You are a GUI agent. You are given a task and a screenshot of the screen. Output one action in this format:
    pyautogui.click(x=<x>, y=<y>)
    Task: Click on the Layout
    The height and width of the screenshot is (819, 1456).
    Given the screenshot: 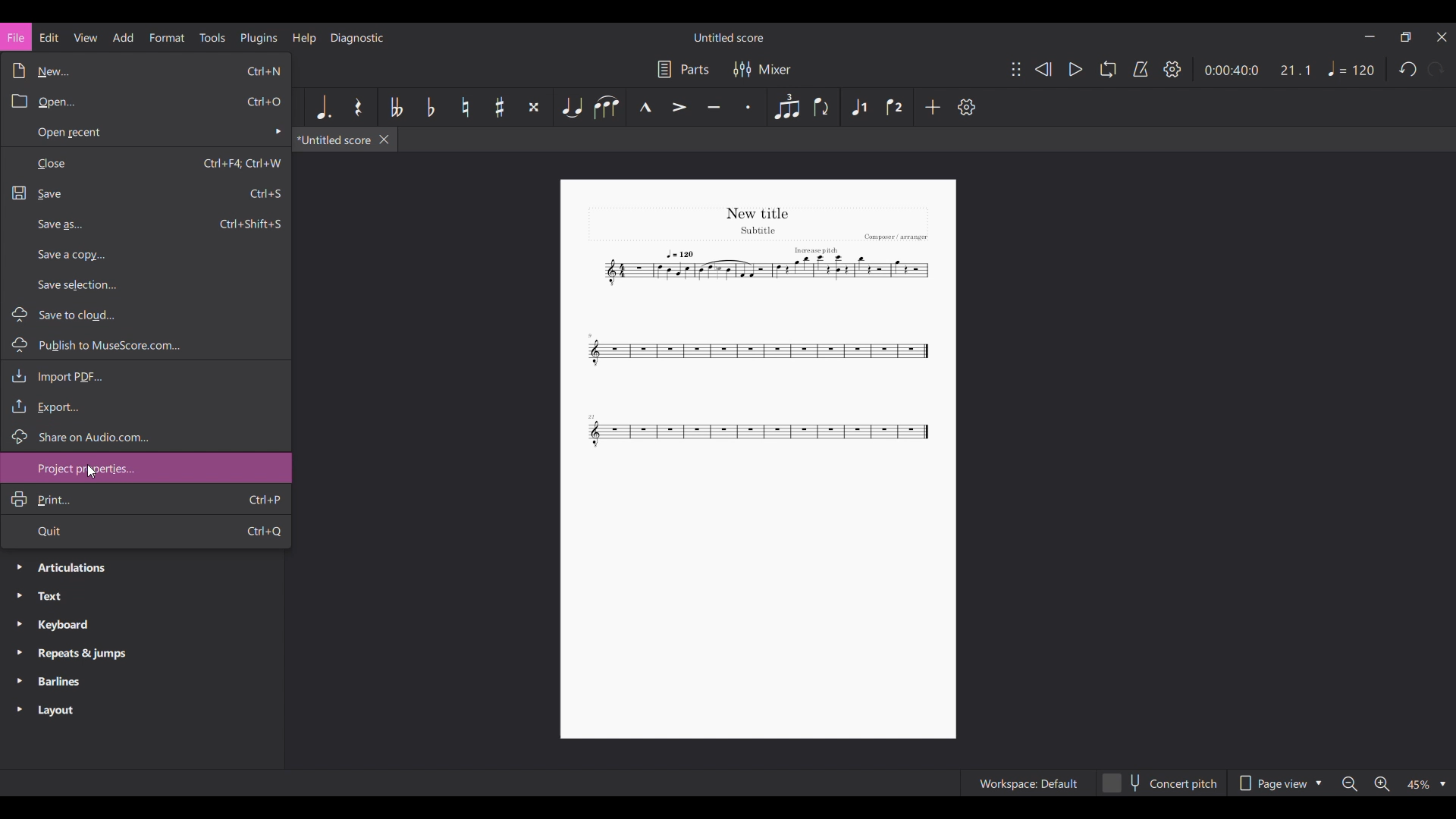 What is the action you would take?
    pyautogui.click(x=142, y=711)
    